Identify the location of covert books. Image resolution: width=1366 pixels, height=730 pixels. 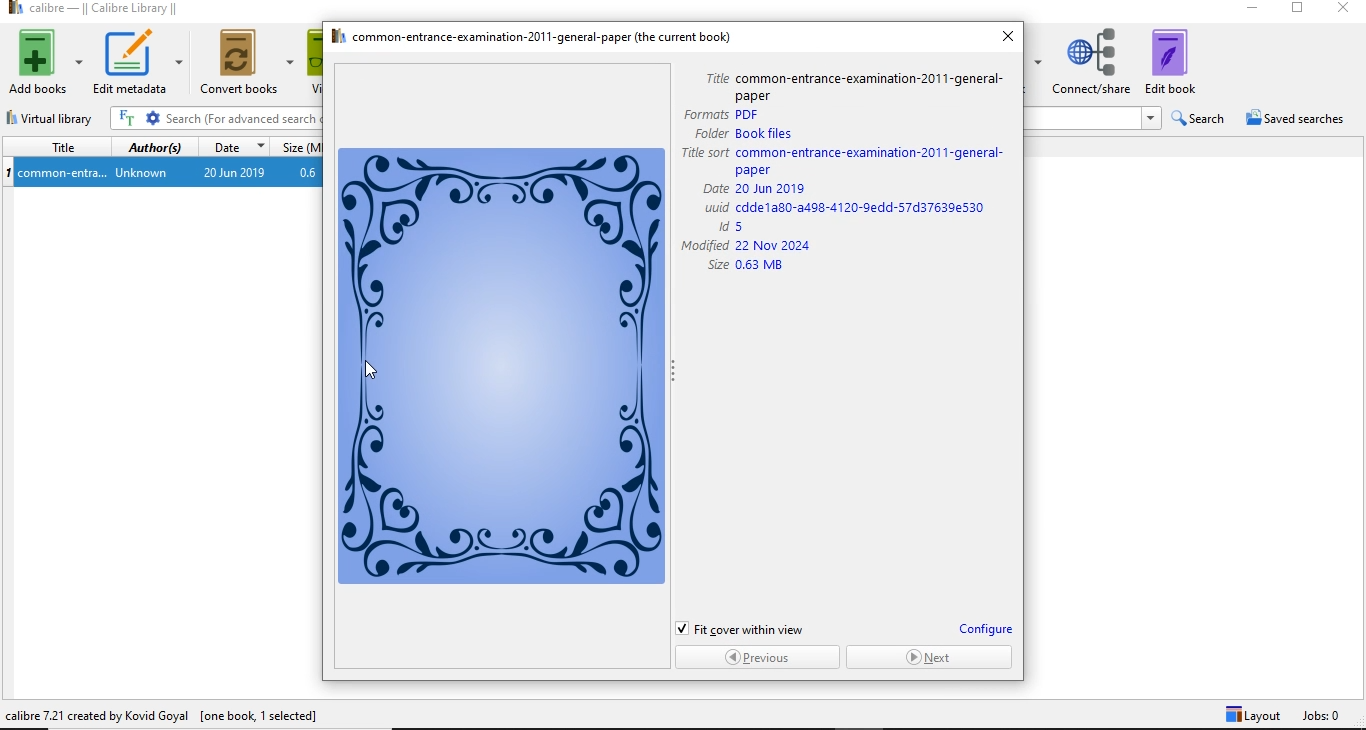
(248, 61).